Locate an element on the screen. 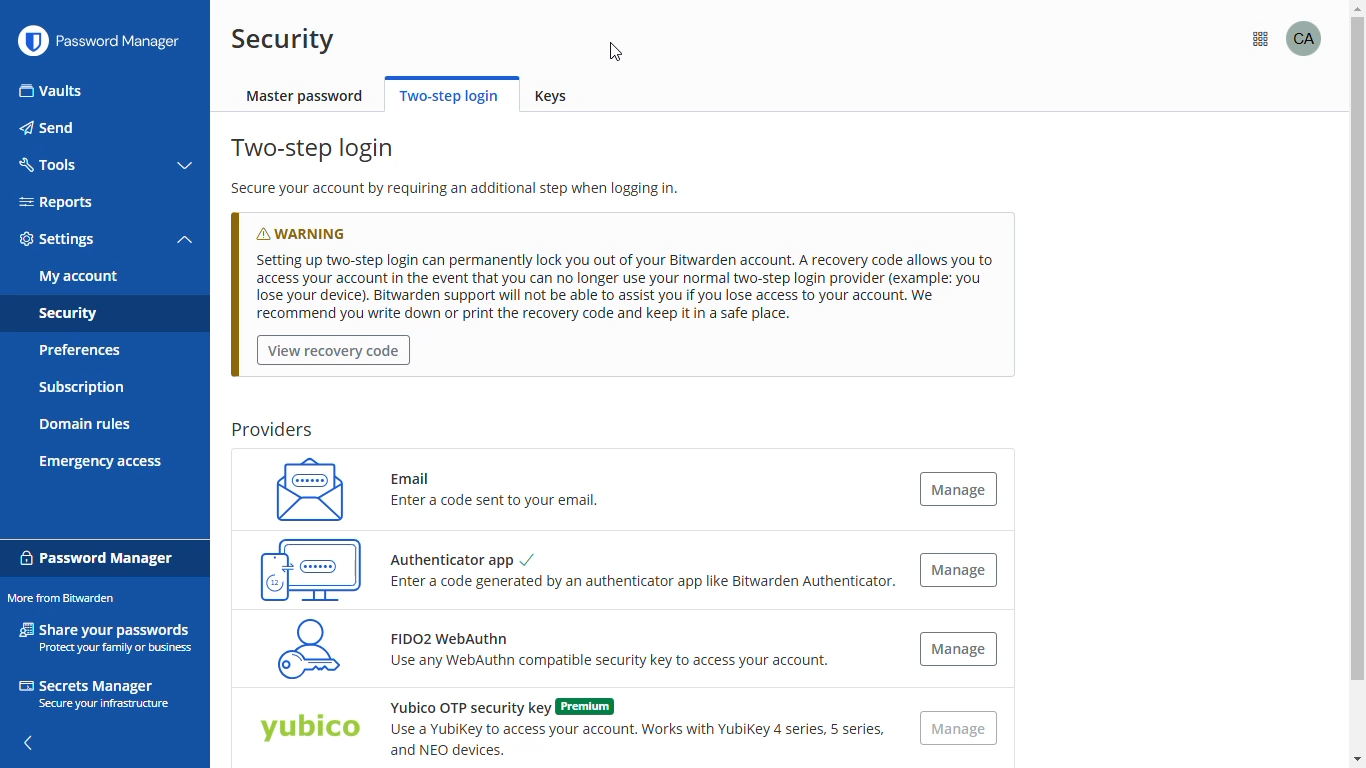 The image size is (1366, 768). subscription is located at coordinates (82, 388).